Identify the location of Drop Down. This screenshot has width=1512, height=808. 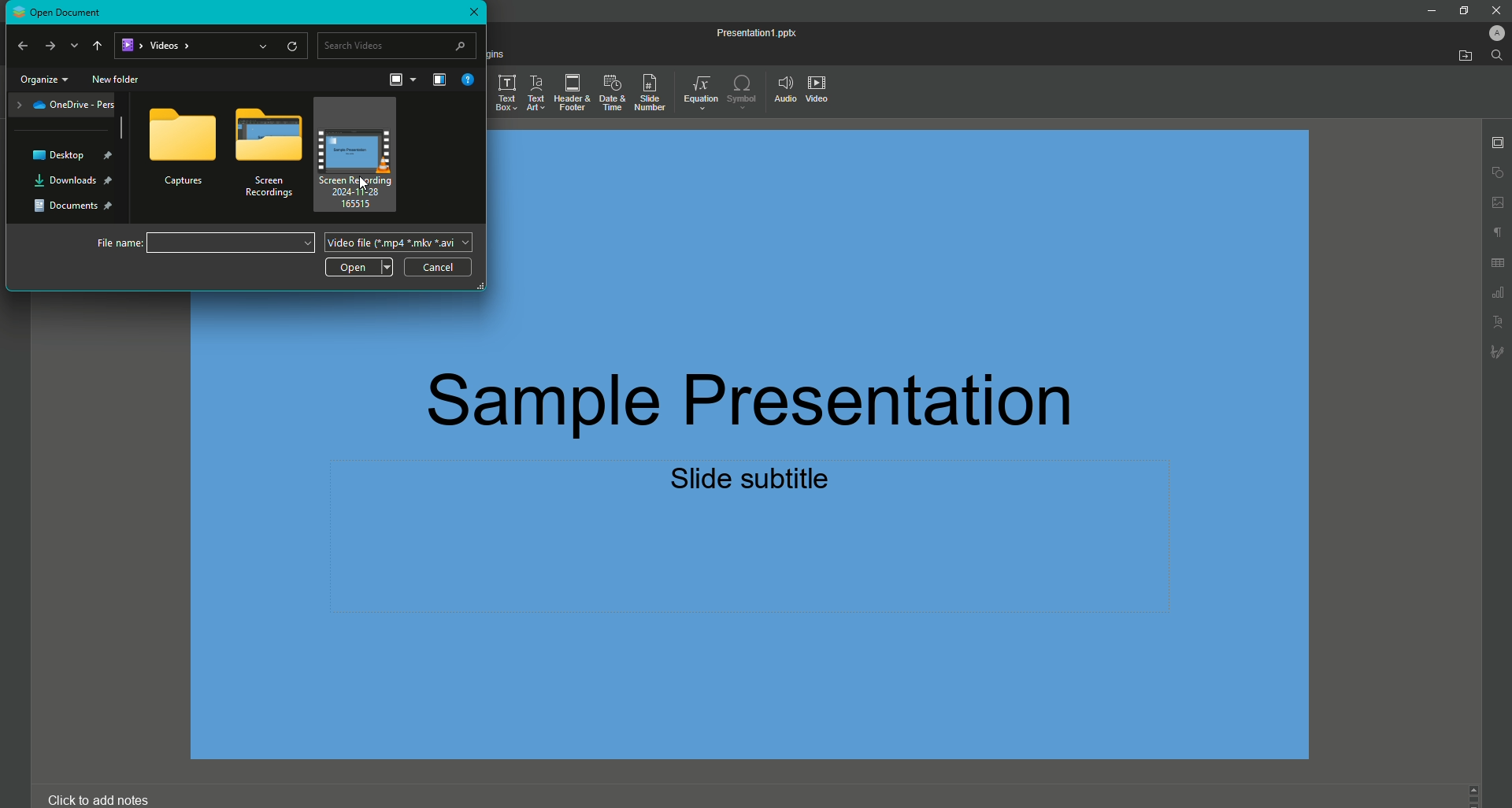
(75, 45).